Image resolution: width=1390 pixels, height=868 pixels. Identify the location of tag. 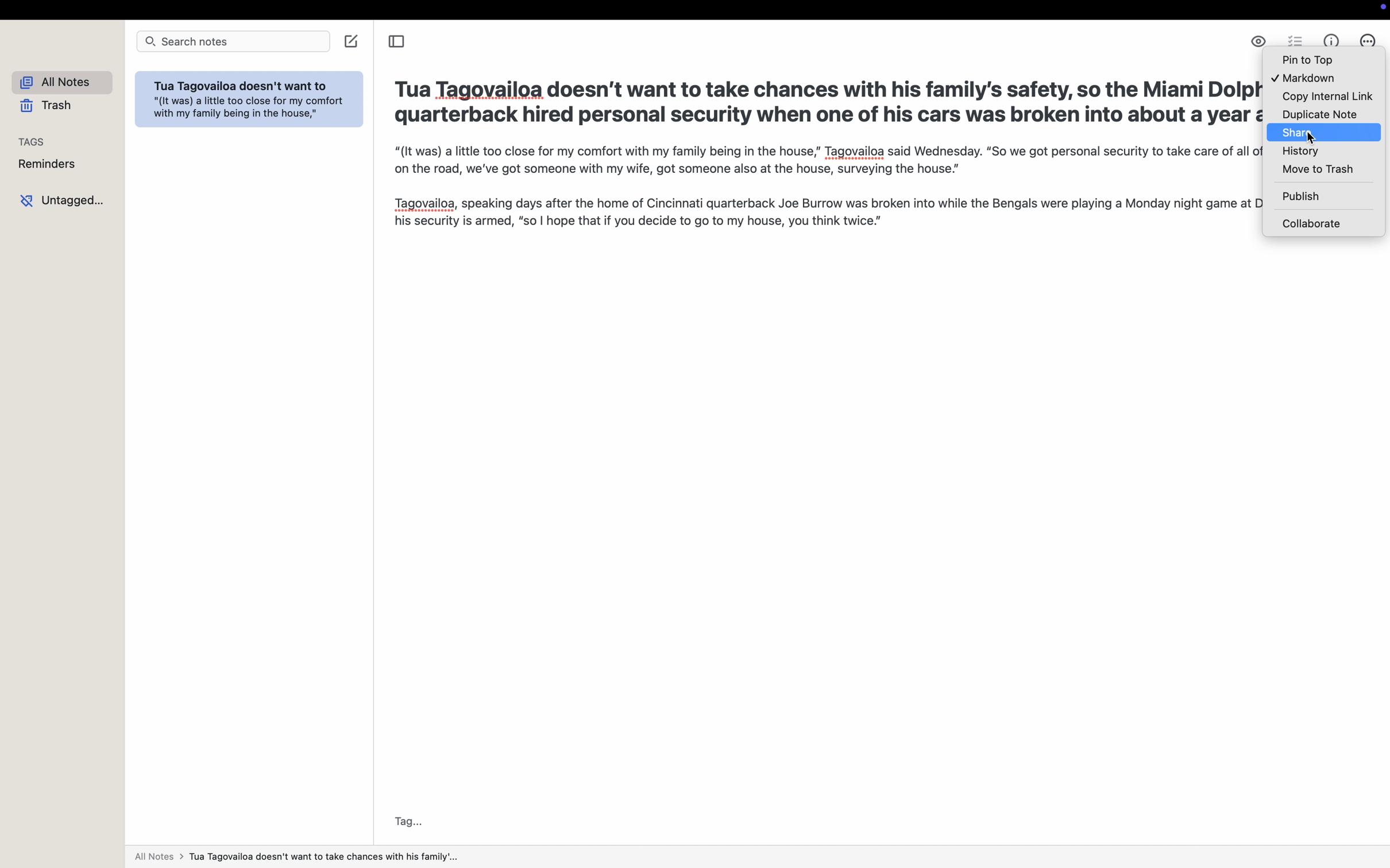
(409, 821).